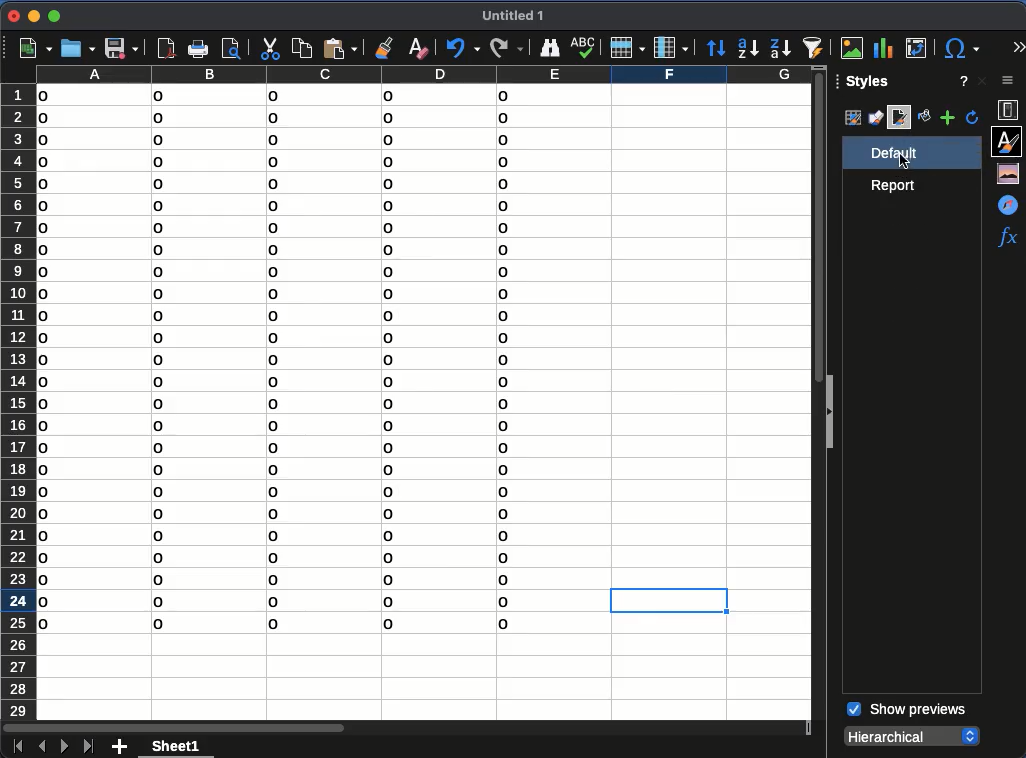  Describe the element at coordinates (282, 365) in the screenshot. I see `data` at that location.